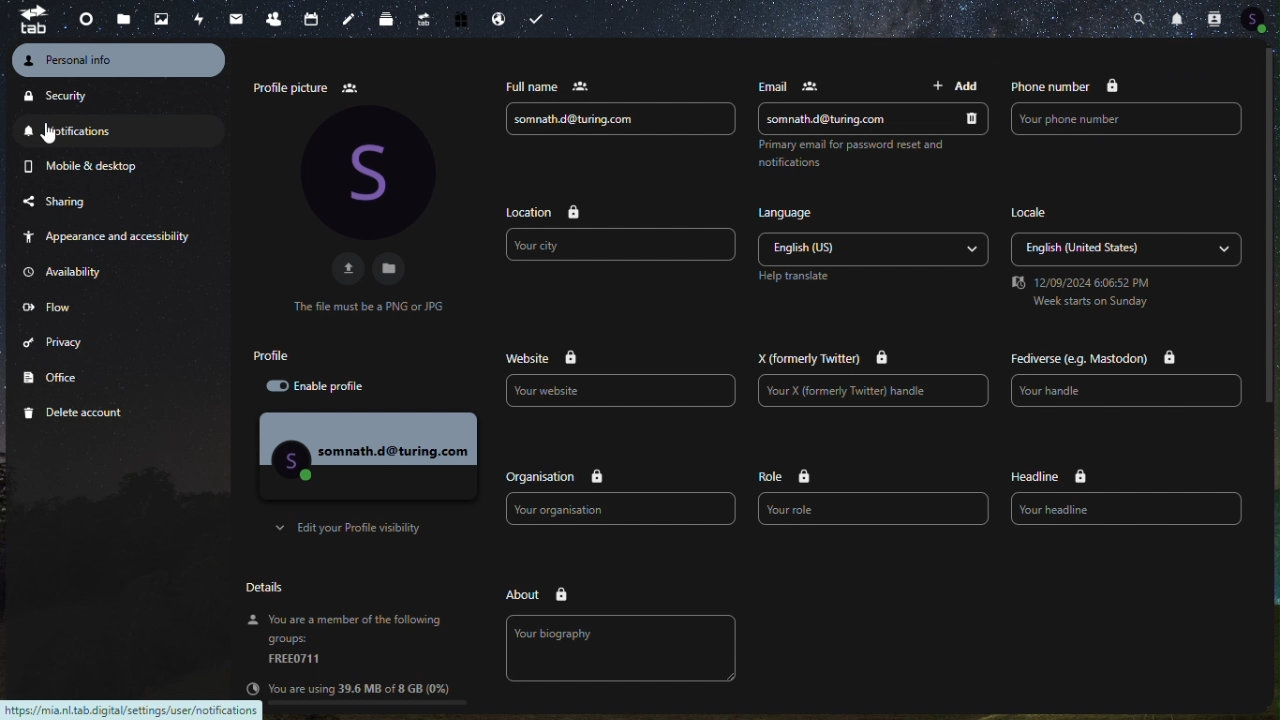 The width and height of the screenshot is (1280, 720). I want to click on file, so click(393, 268).